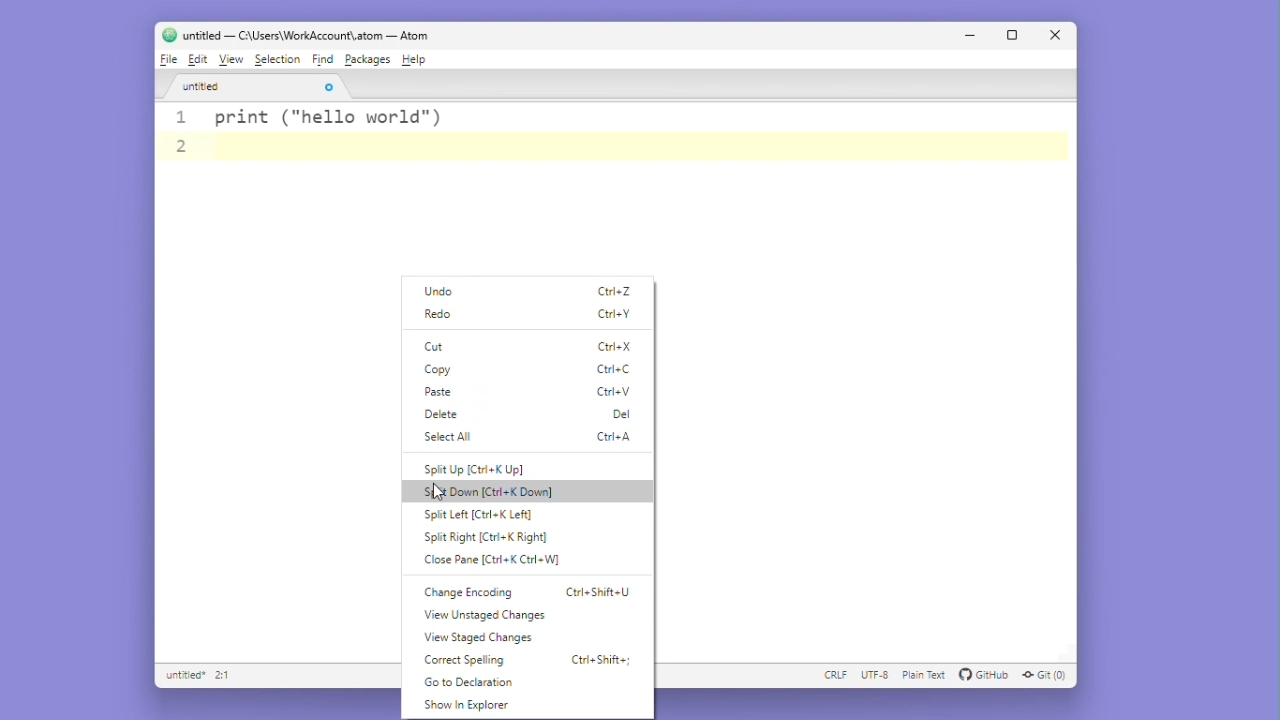  What do you see at coordinates (471, 658) in the screenshot?
I see `Correct spelling` at bounding box center [471, 658].